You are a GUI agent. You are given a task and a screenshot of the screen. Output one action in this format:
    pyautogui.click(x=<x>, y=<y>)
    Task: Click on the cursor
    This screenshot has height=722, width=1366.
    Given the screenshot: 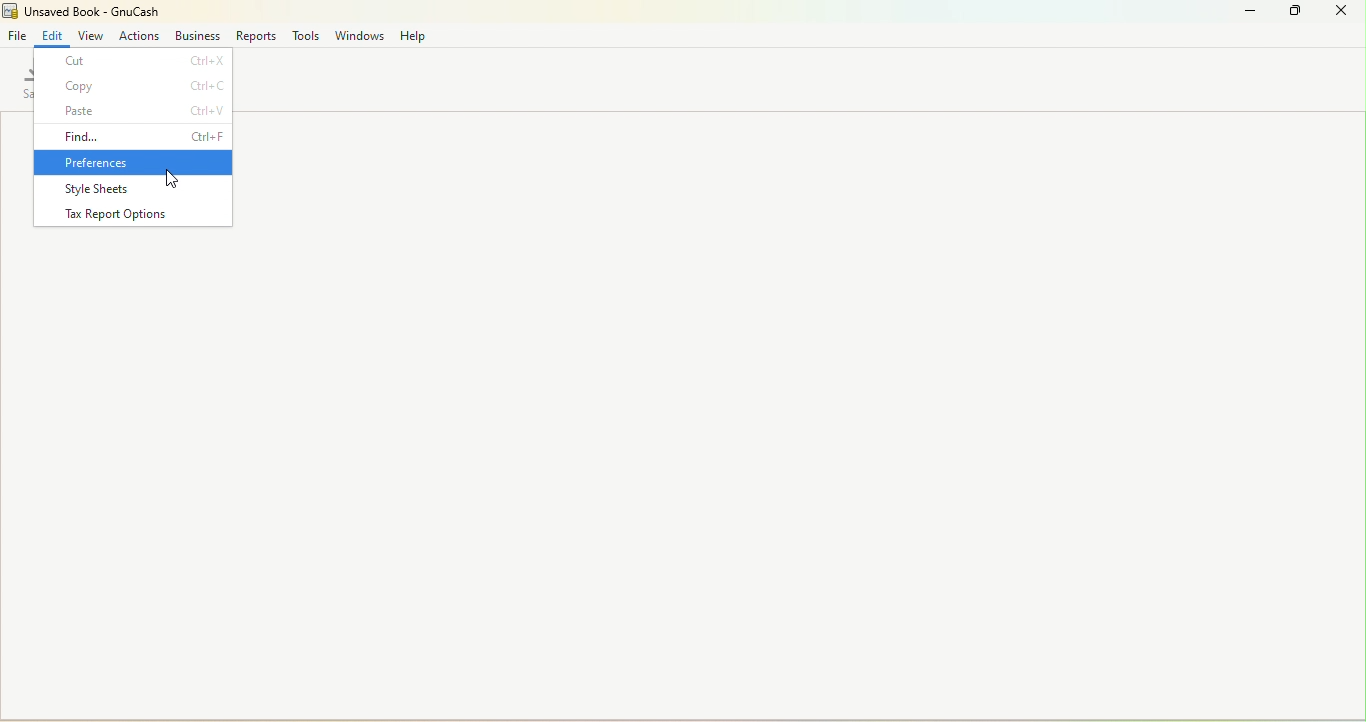 What is the action you would take?
    pyautogui.click(x=174, y=183)
    